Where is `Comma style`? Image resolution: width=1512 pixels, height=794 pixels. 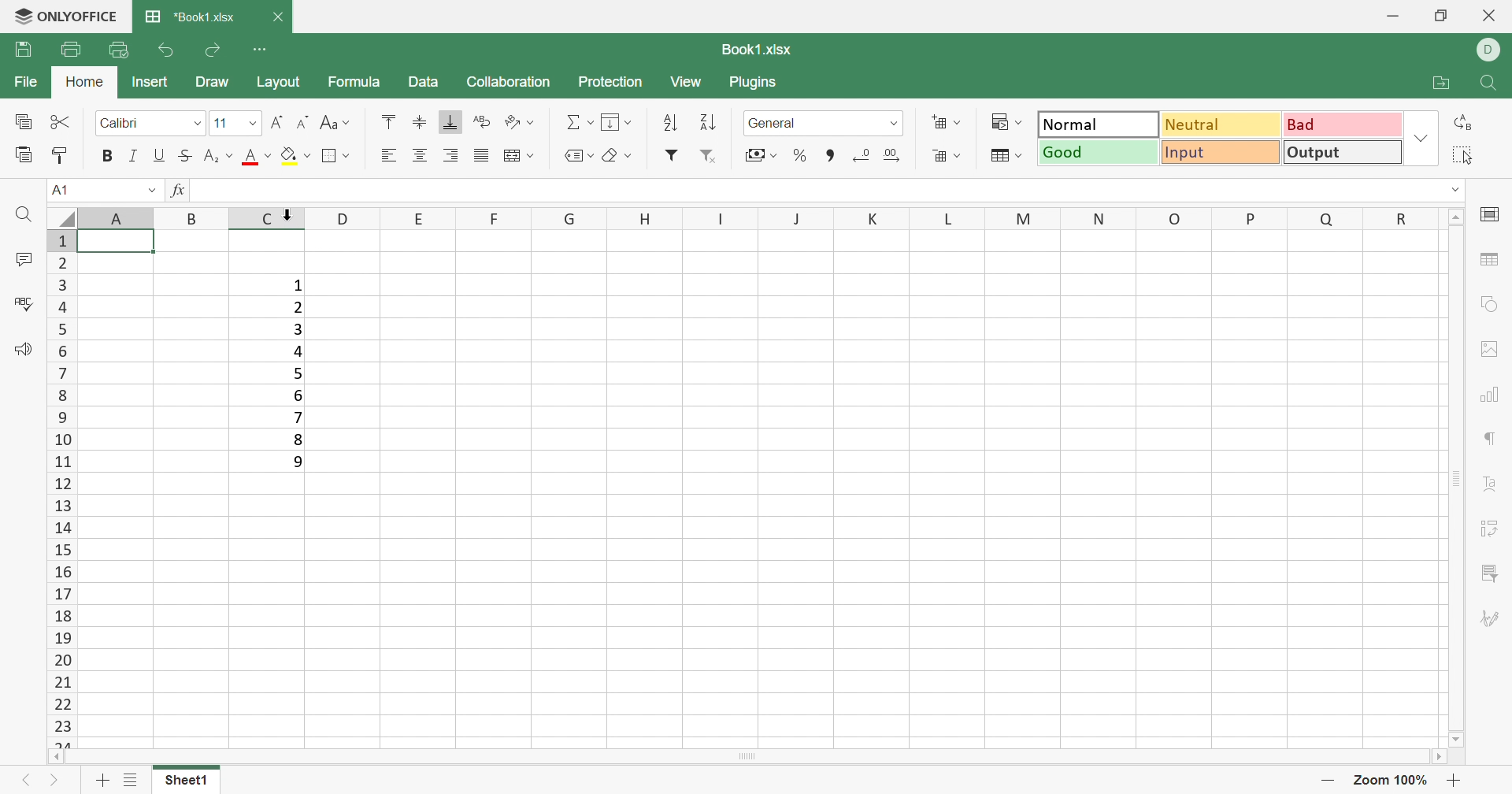
Comma style is located at coordinates (832, 156).